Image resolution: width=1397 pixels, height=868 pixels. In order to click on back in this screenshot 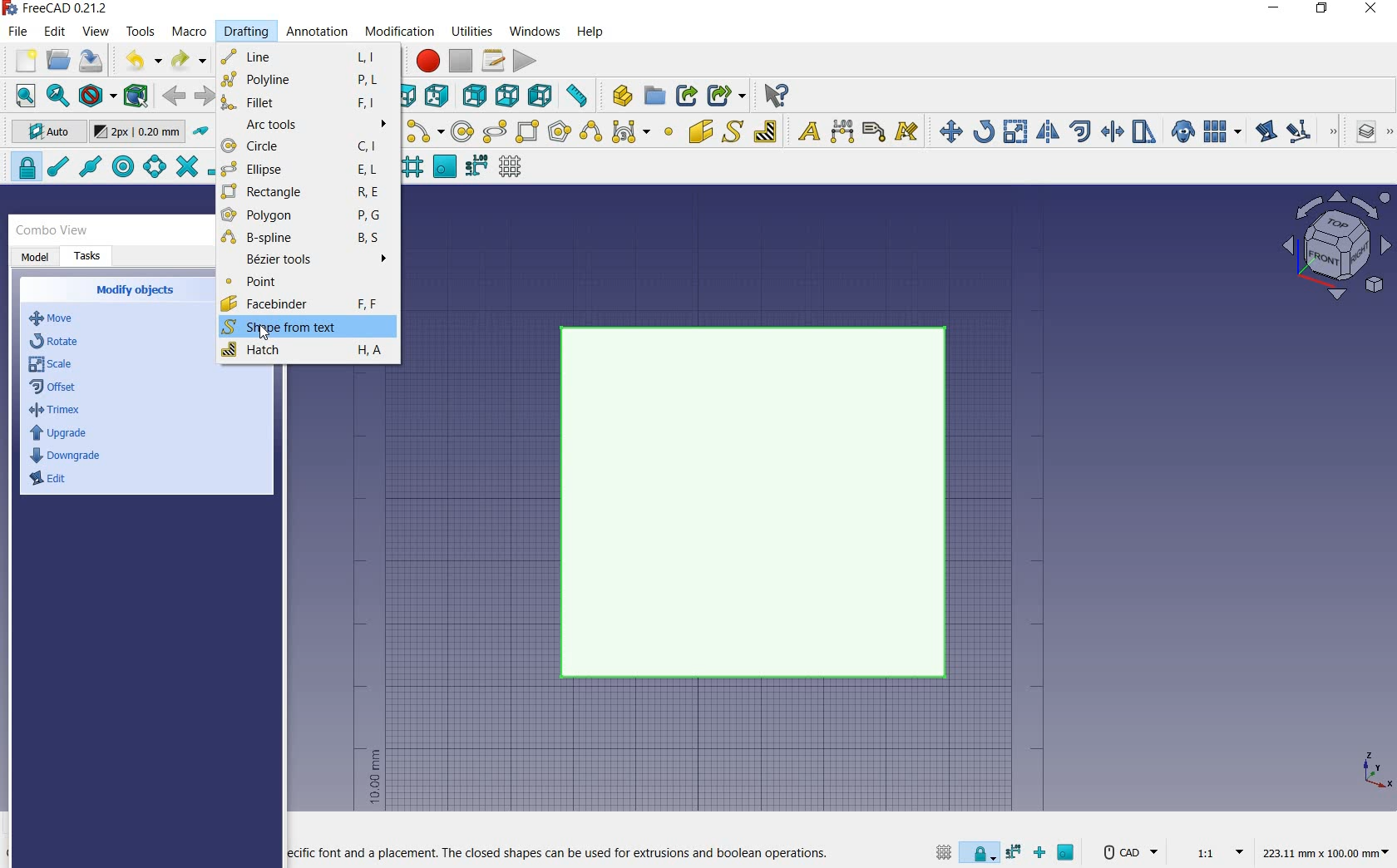, I will do `click(175, 96)`.